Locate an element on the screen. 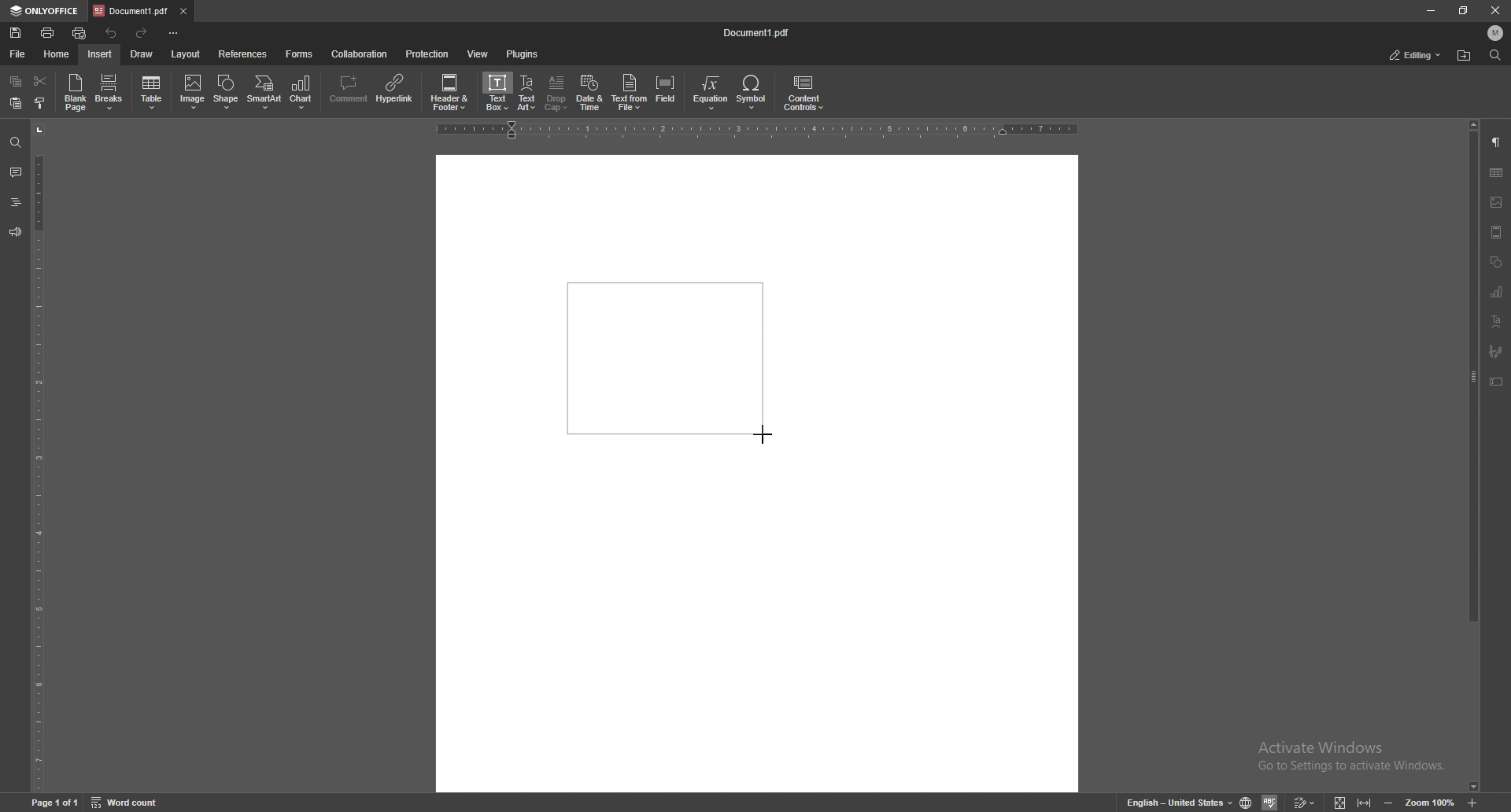 The image size is (1511, 812). shape is located at coordinates (227, 92).